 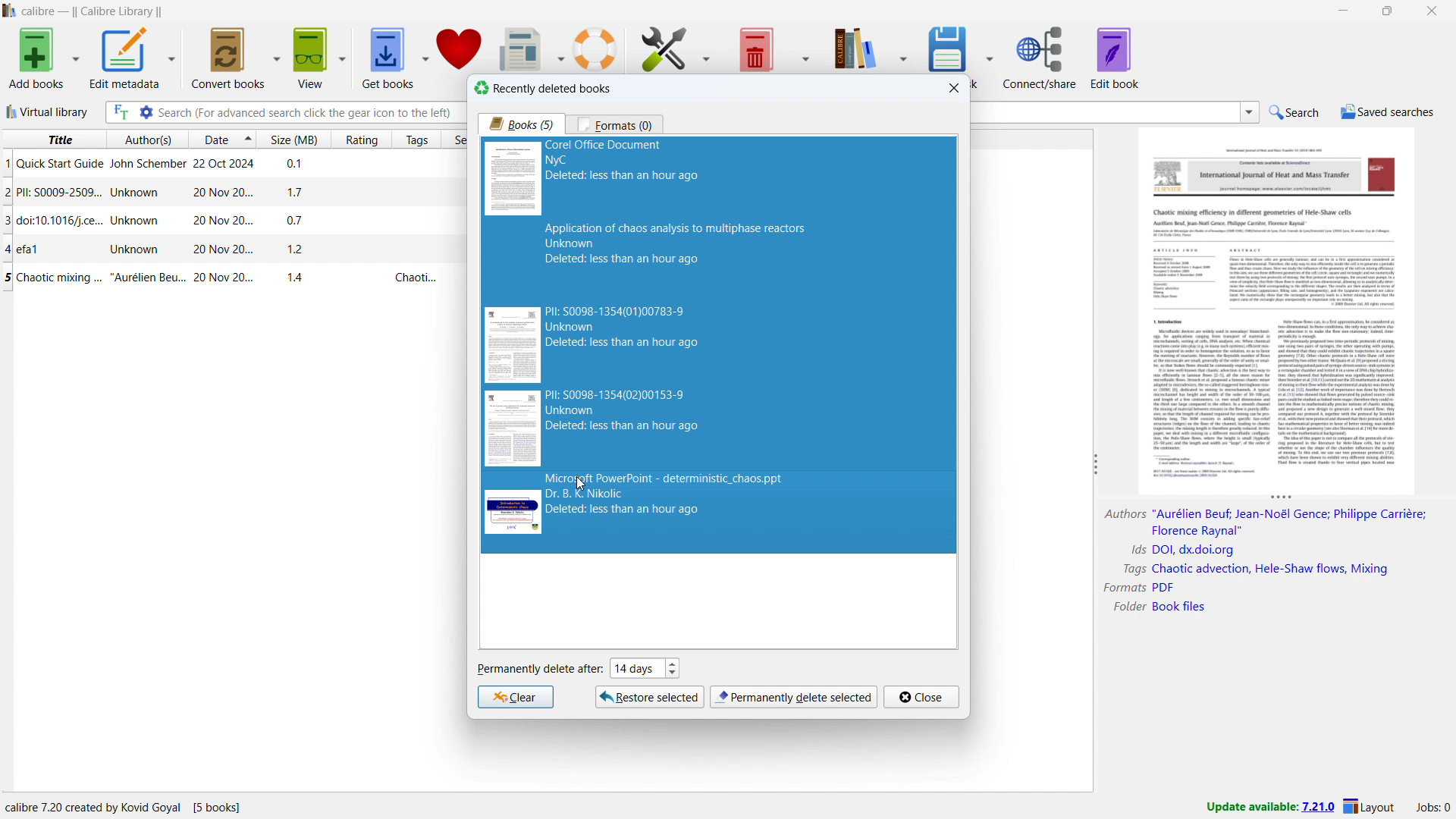 What do you see at coordinates (1040, 56) in the screenshot?
I see `connect/share` at bounding box center [1040, 56].